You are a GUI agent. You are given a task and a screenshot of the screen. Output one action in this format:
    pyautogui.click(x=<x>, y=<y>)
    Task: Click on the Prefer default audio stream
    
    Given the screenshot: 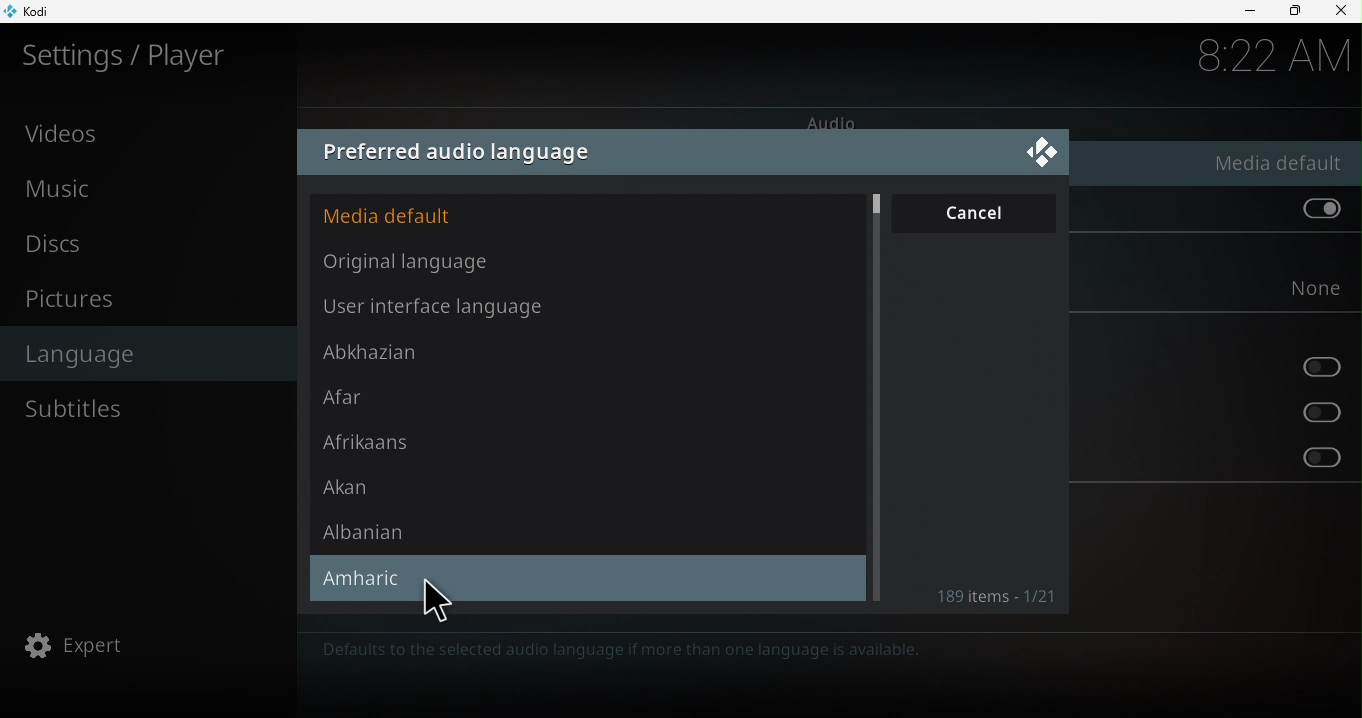 What is the action you would take?
    pyautogui.click(x=1317, y=207)
    